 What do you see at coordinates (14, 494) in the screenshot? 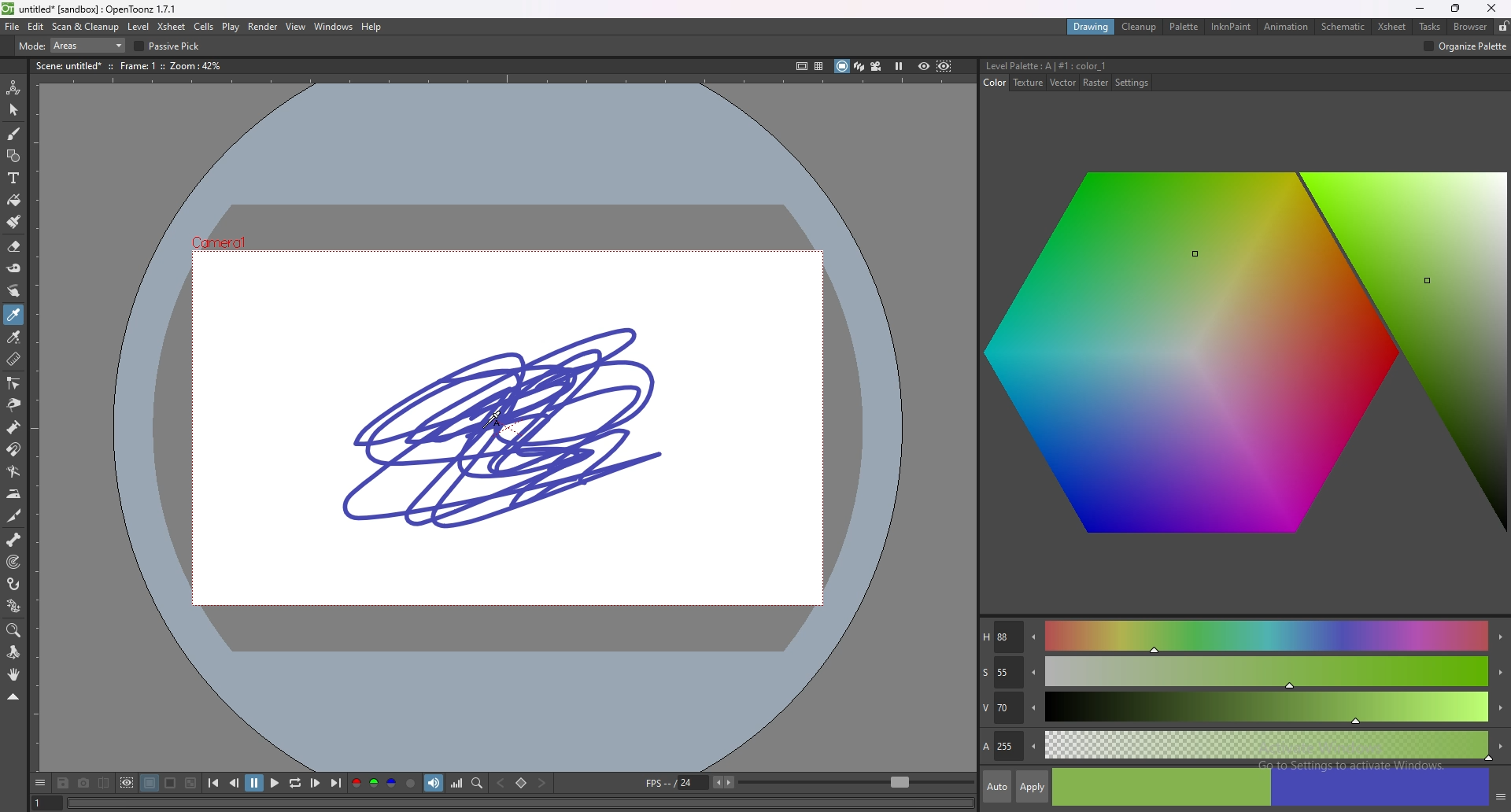
I see `iron tool` at bounding box center [14, 494].